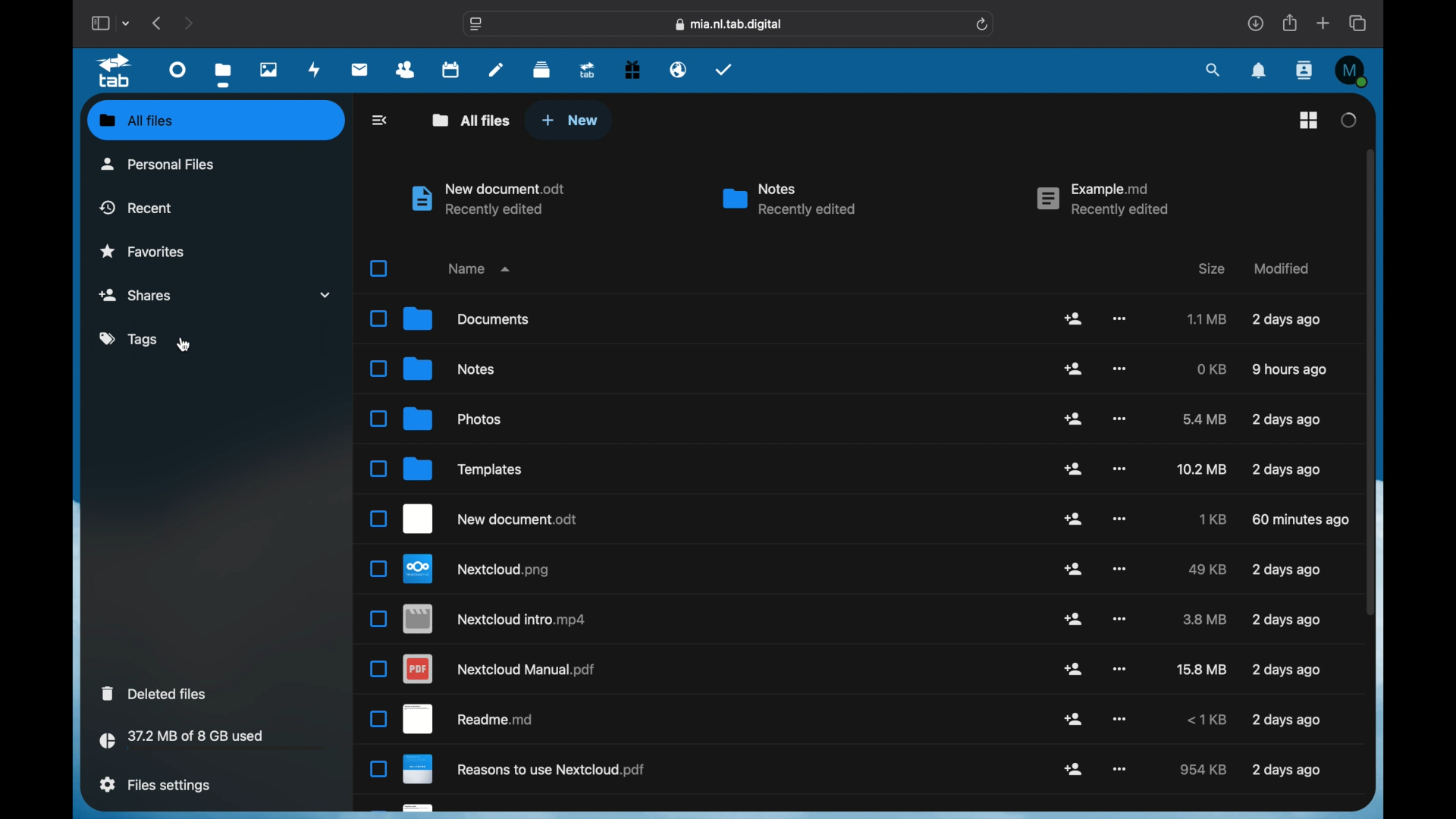 The image size is (1456, 819). What do you see at coordinates (377, 369) in the screenshot?
I see `Unselected checkbox` at bounding box center [377, 369].